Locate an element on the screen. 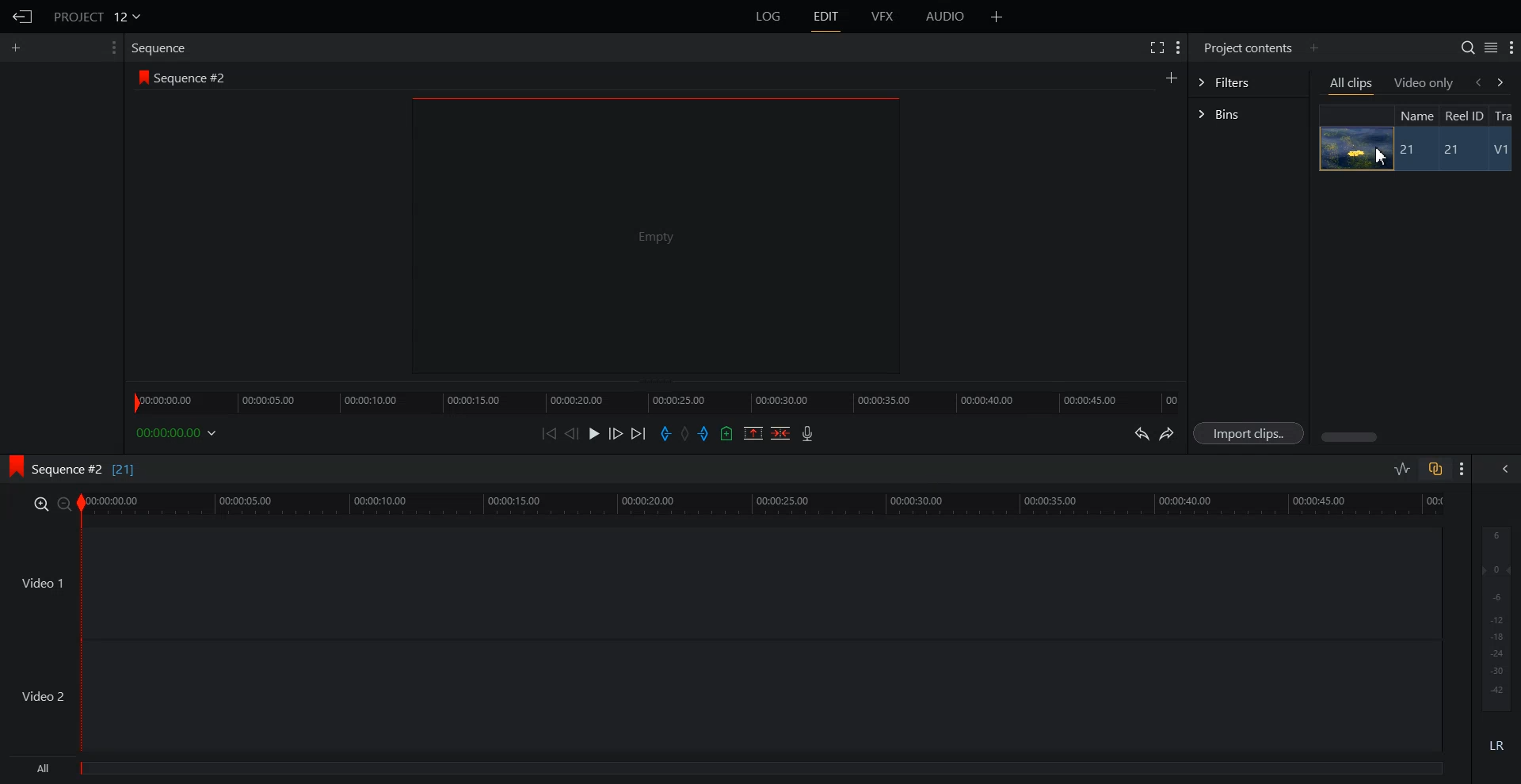  Video 2 is located at coordinates (721, 696).